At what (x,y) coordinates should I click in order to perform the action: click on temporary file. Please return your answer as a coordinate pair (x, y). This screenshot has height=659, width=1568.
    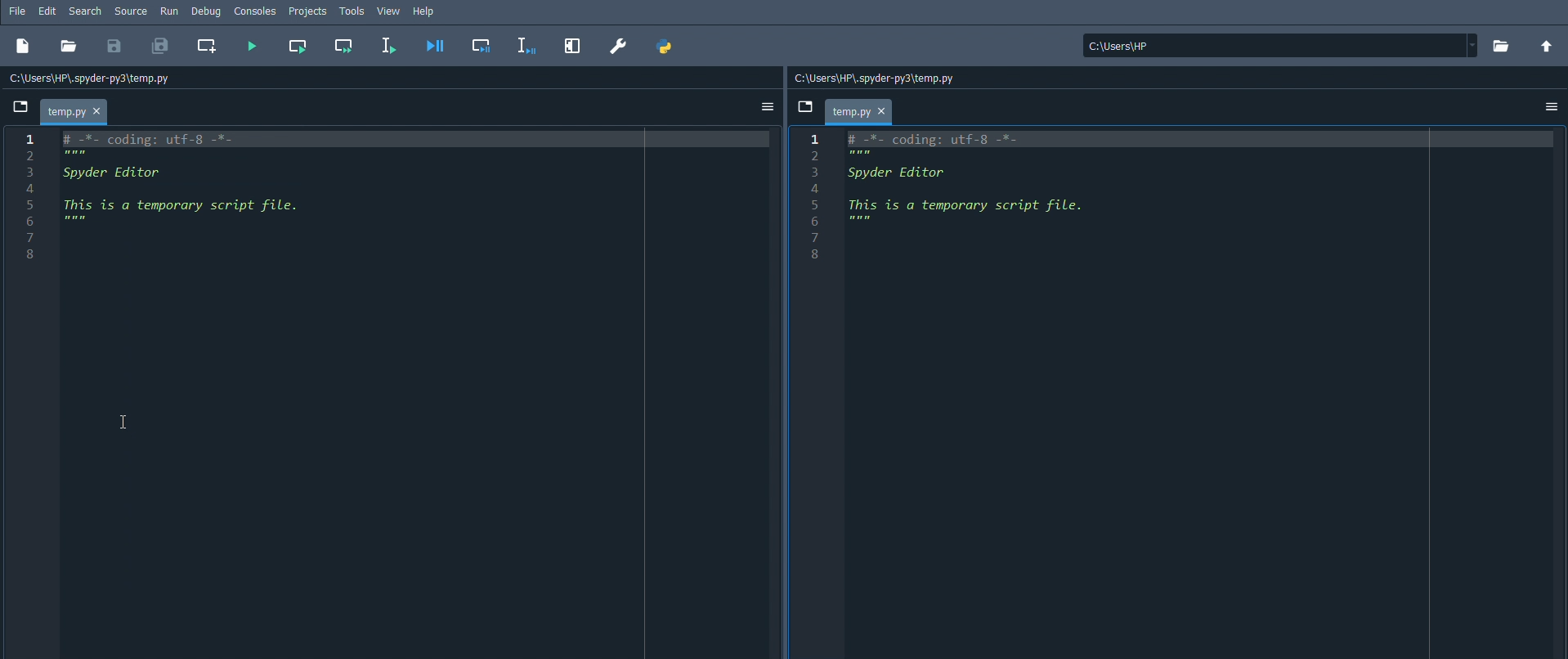
    Looking at the image, I should click on (78, 111).